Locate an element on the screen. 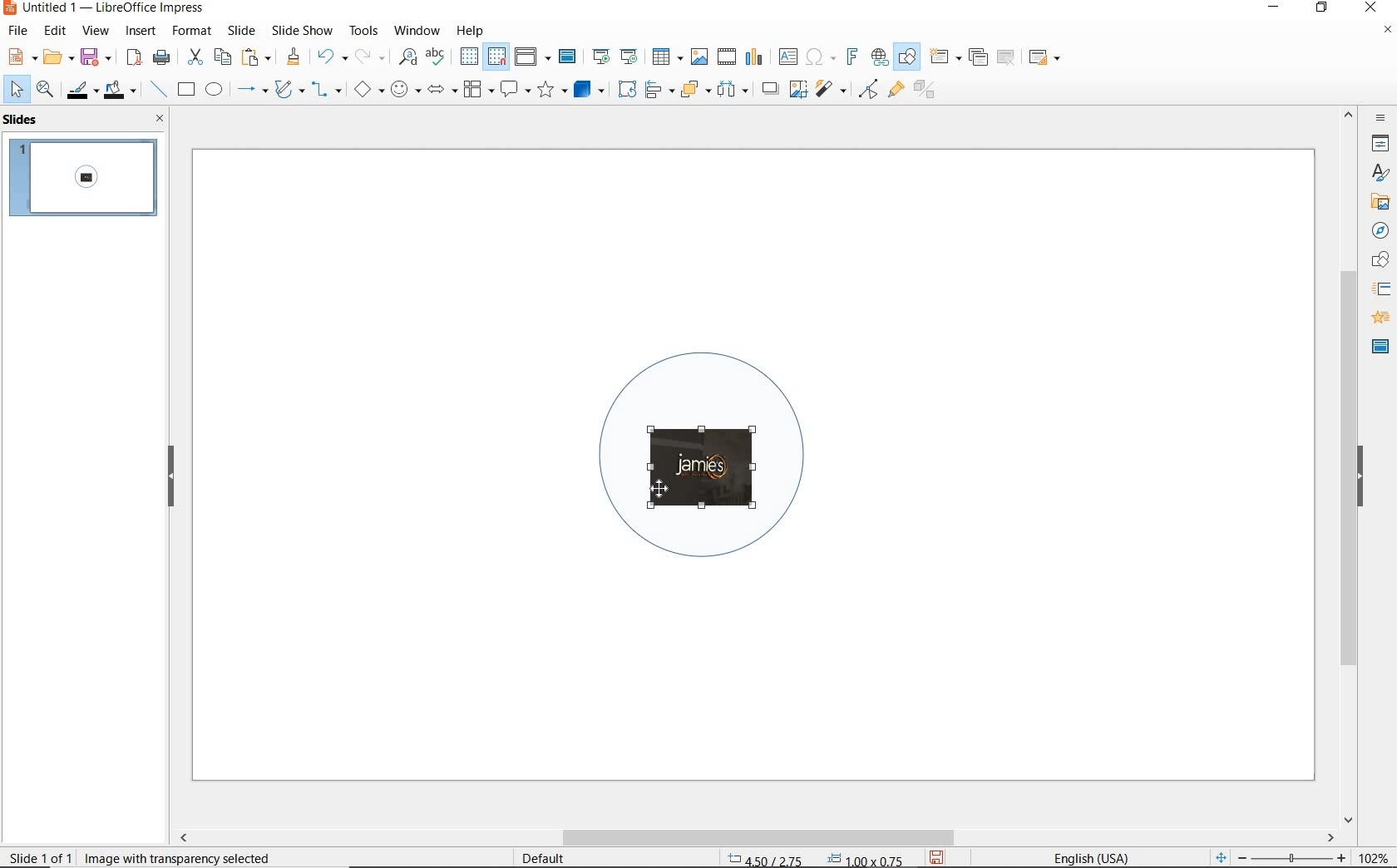 This screenshot has width=1397, height=868. basic shapes is located at coordinates (368, 91).